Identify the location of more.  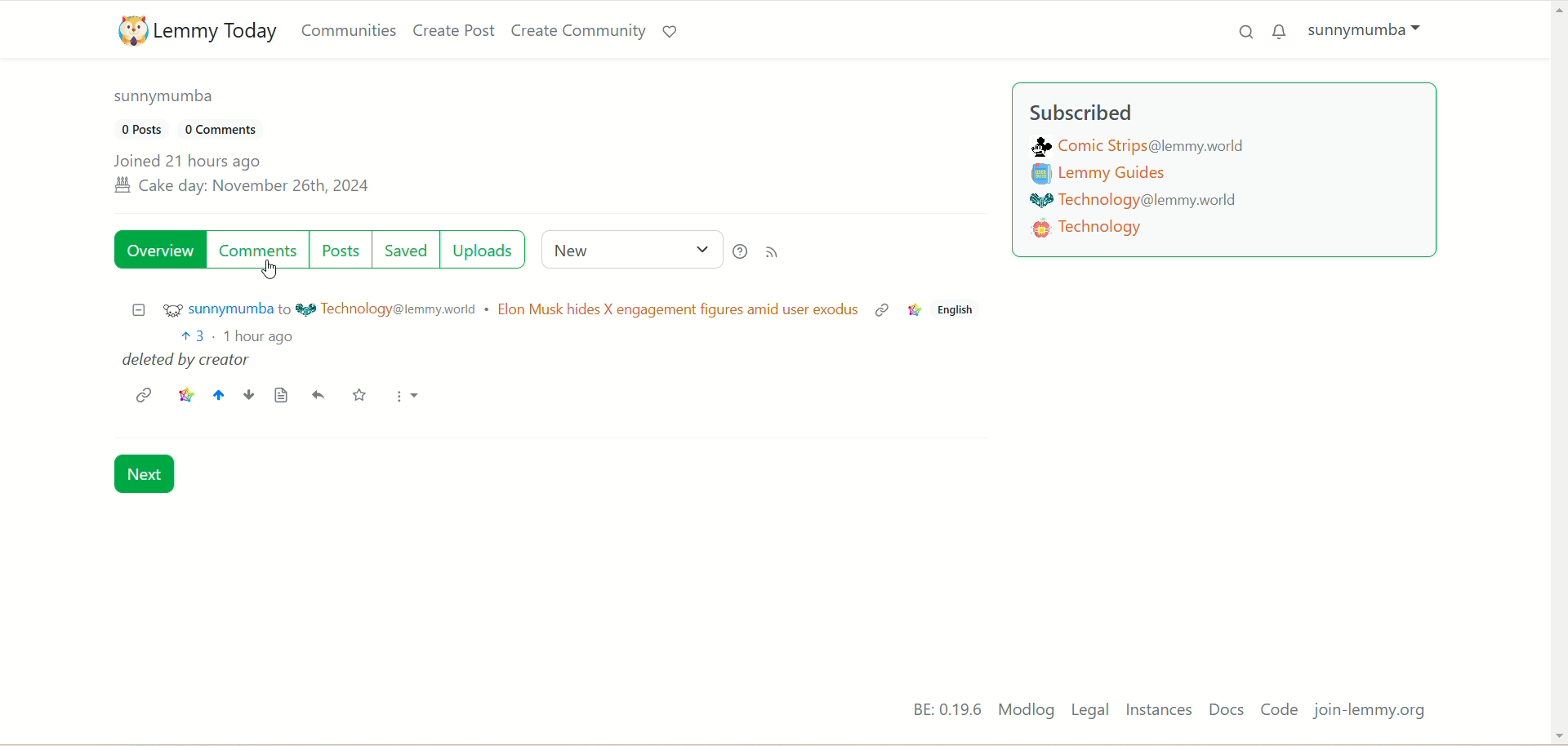
(406, 399).